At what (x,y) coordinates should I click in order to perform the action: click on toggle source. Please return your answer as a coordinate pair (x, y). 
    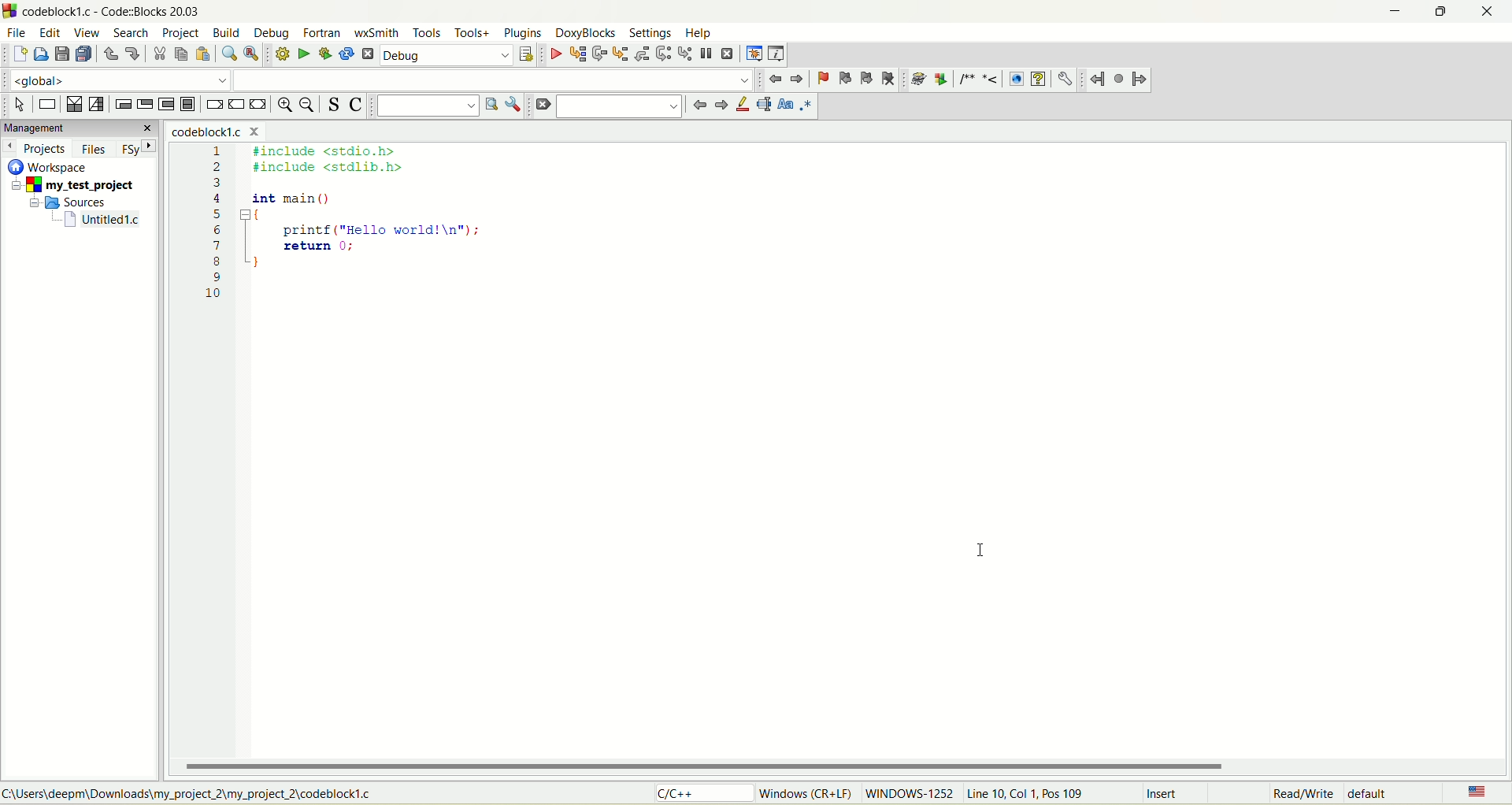
    Looking at the image, I should click on (335, 104).